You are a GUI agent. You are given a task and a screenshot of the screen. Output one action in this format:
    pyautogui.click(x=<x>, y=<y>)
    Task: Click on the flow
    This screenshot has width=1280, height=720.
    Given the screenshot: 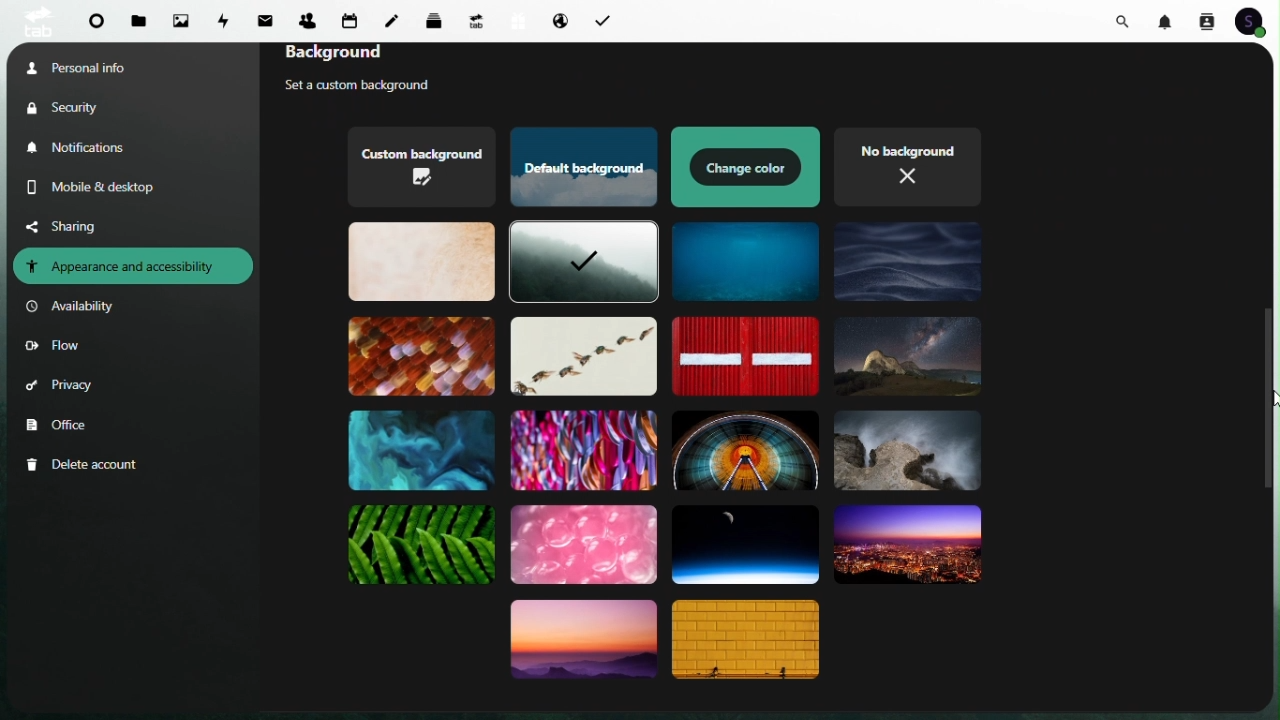 What is the action you would take?
    pyautogui.click(x=53, y=348)
    